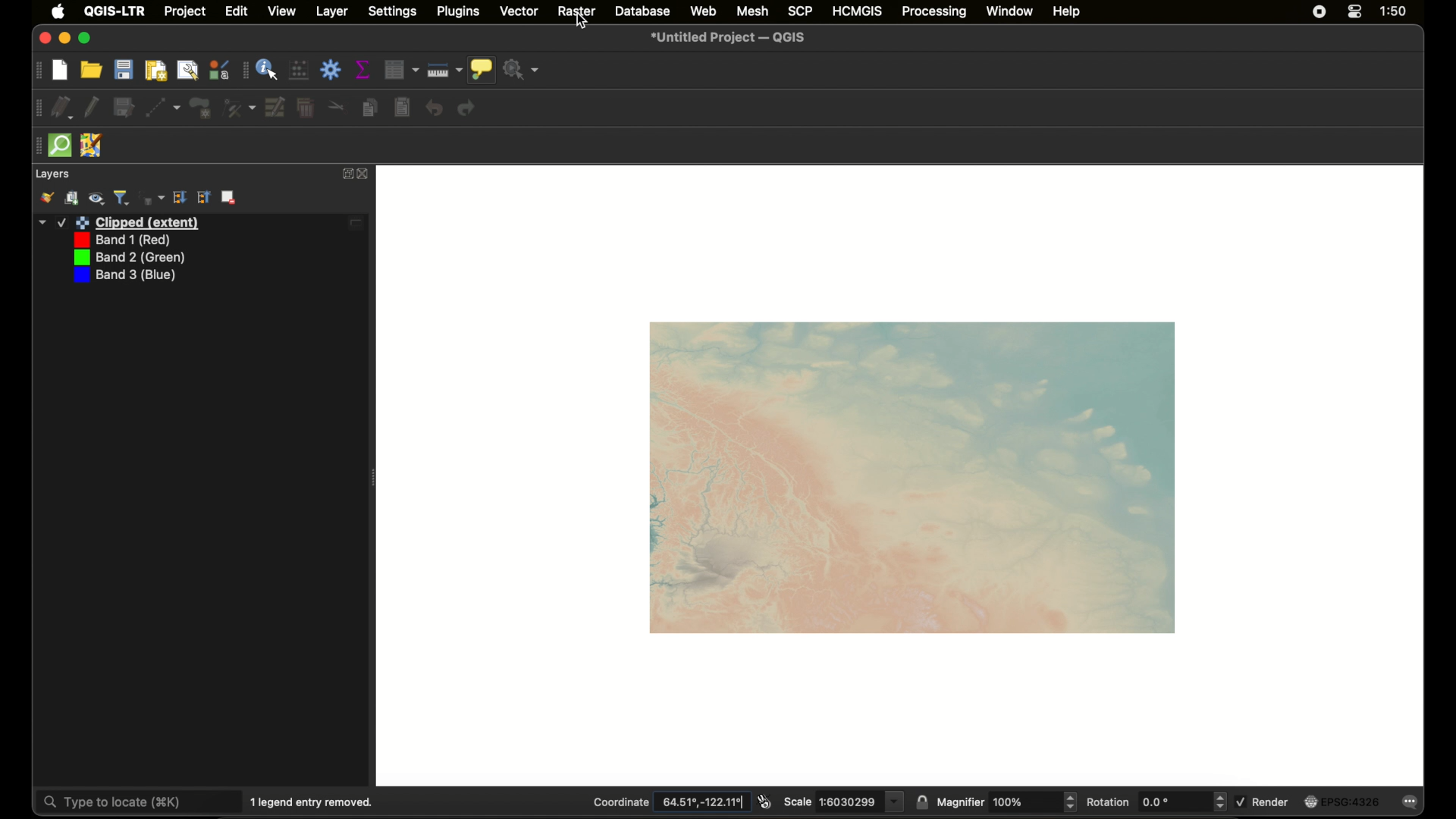  I want to click on open attribute table, so click(401, 70).